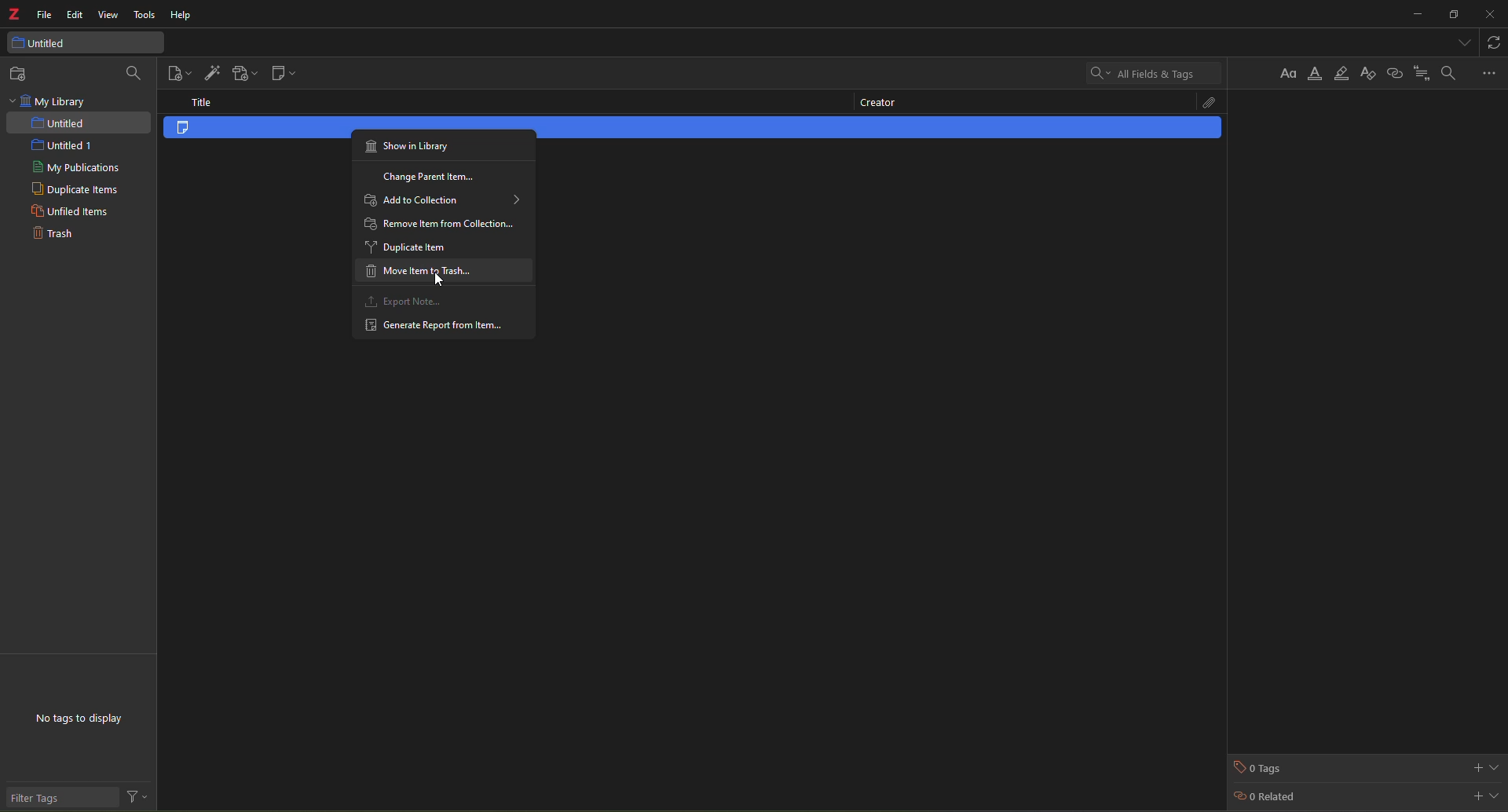 This screenshot has height=812, width=1508. I want to click on my publications, so click(80, 169).